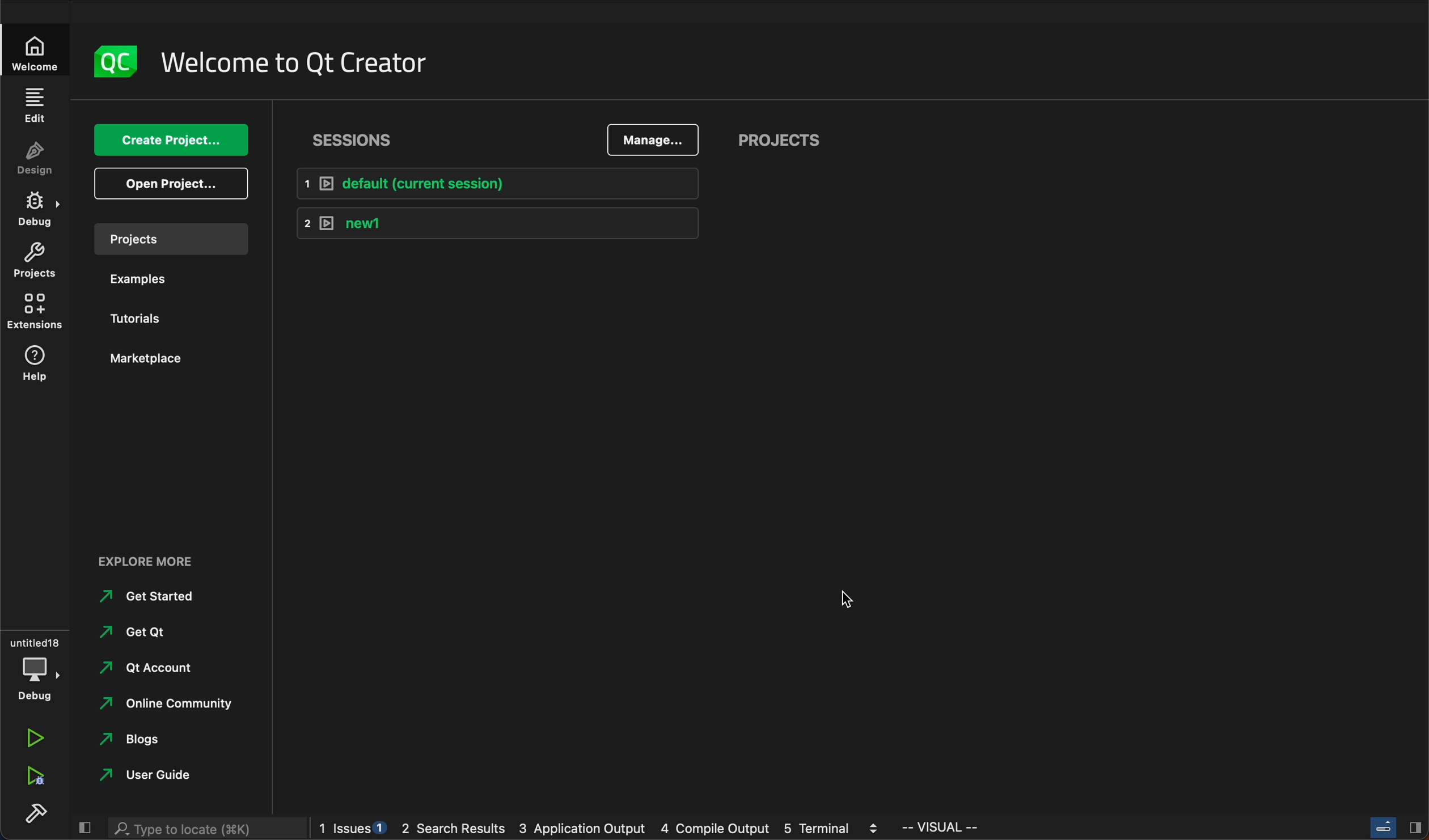 This screenshot has height=840, width=1429. I want to click on account, so click(153, 667).